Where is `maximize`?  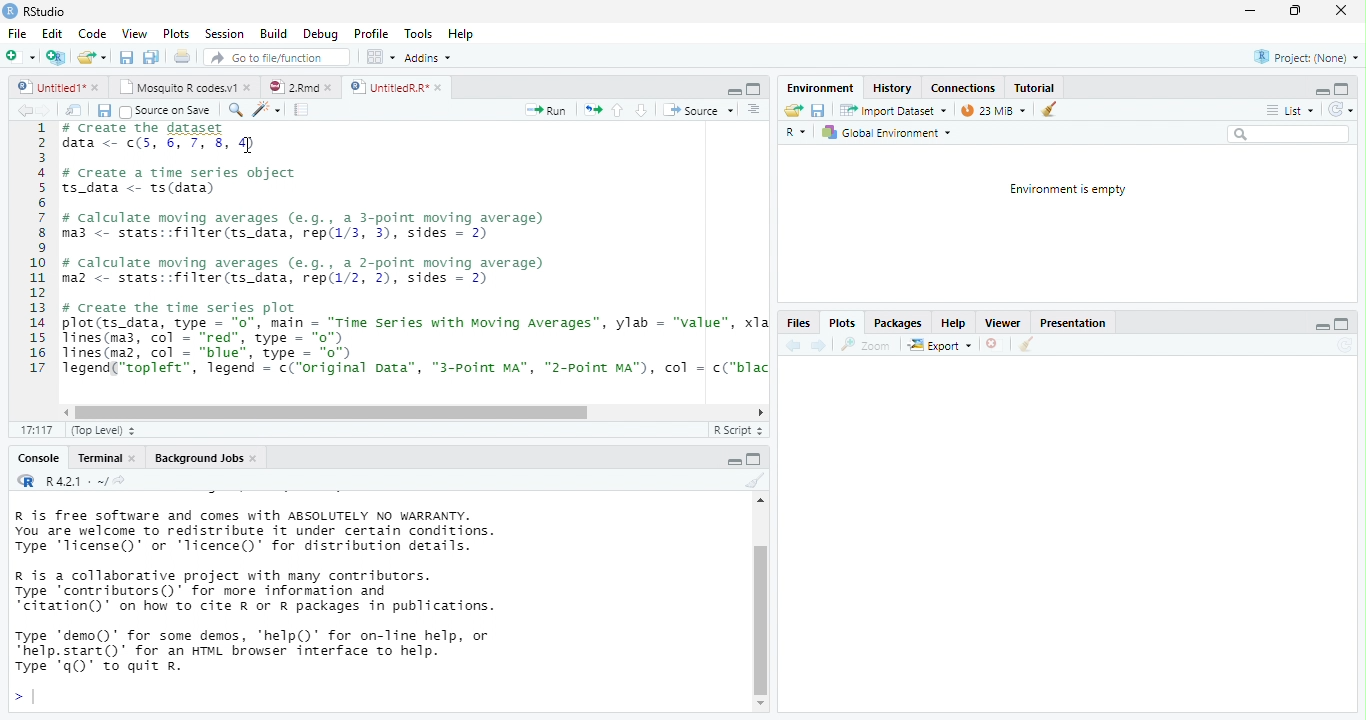
maximize is located at coordinates (1295, 11).